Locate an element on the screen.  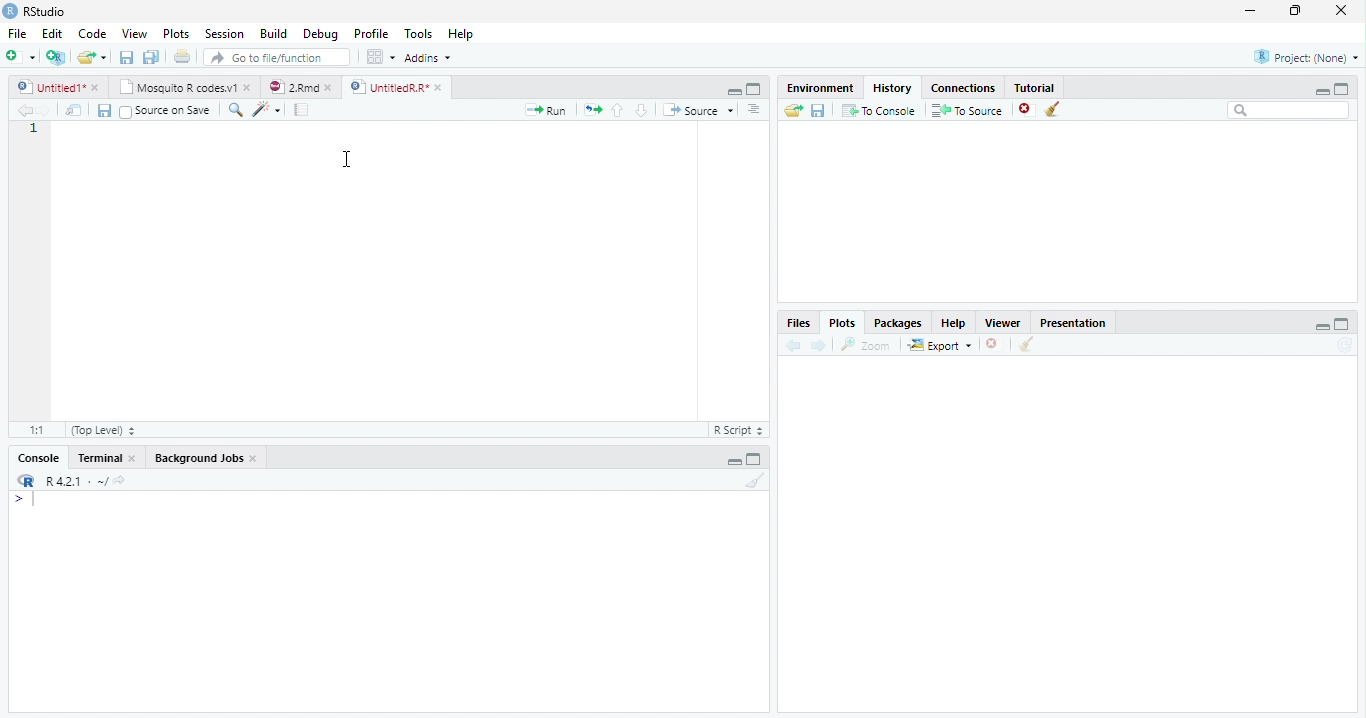
Create file is located at coordinates (21, 58).